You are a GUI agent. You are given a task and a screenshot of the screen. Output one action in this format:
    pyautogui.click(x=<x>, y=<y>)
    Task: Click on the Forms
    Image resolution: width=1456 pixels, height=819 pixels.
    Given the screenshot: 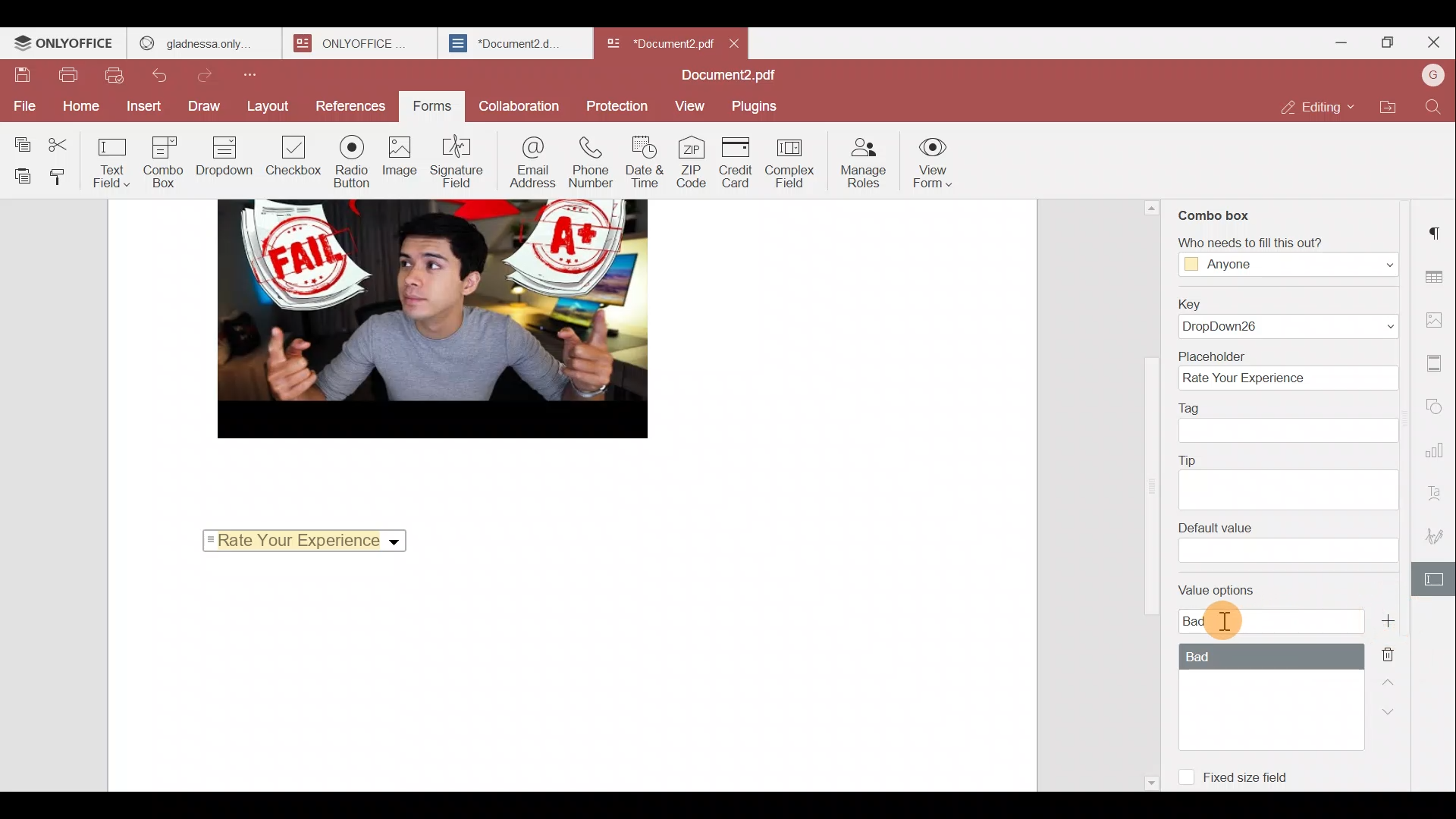 What is the action you would take?
    pyautogui.click(x=427, y=107)
    